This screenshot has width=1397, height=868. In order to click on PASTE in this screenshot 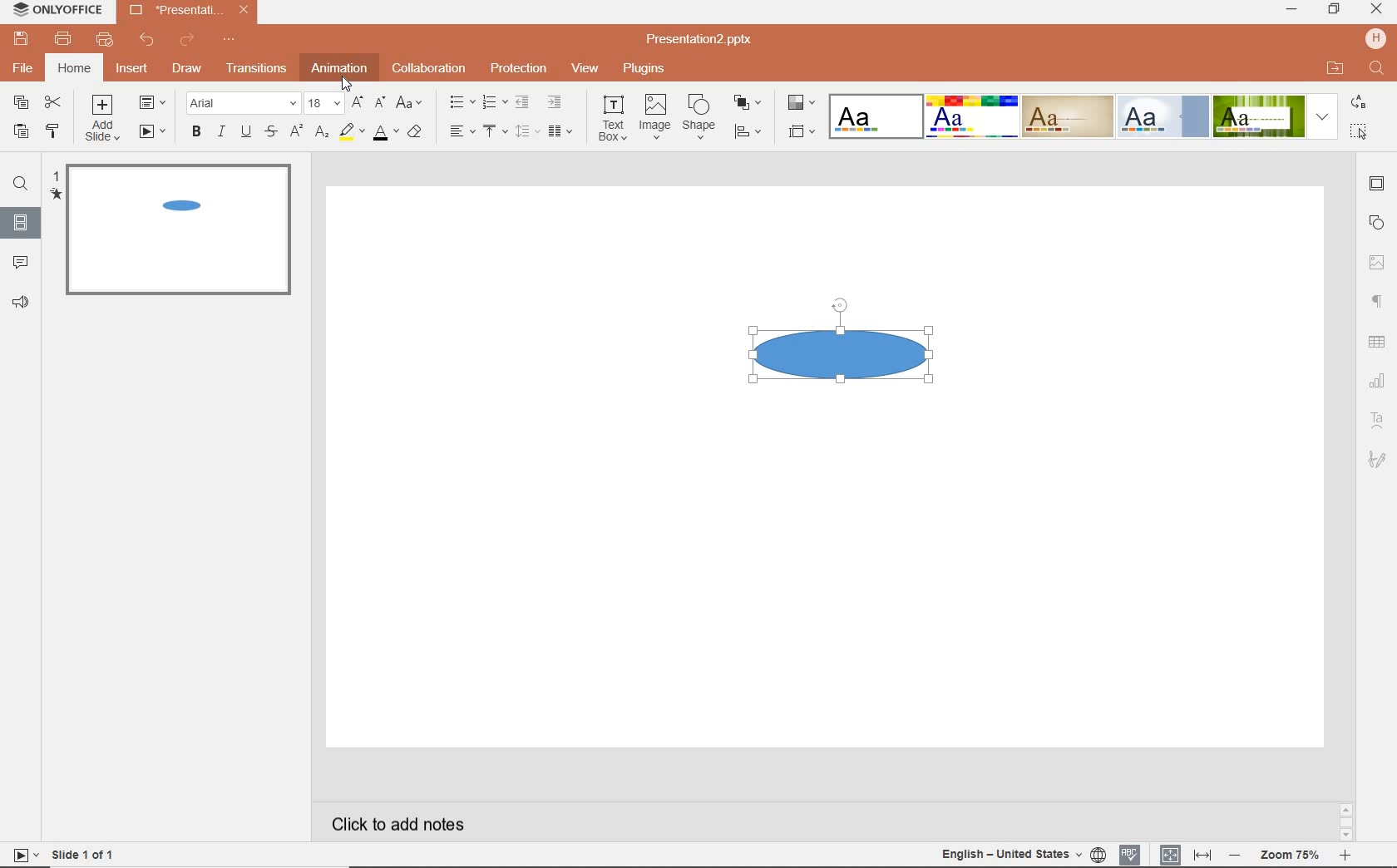, I will do `click(20, 132)`.